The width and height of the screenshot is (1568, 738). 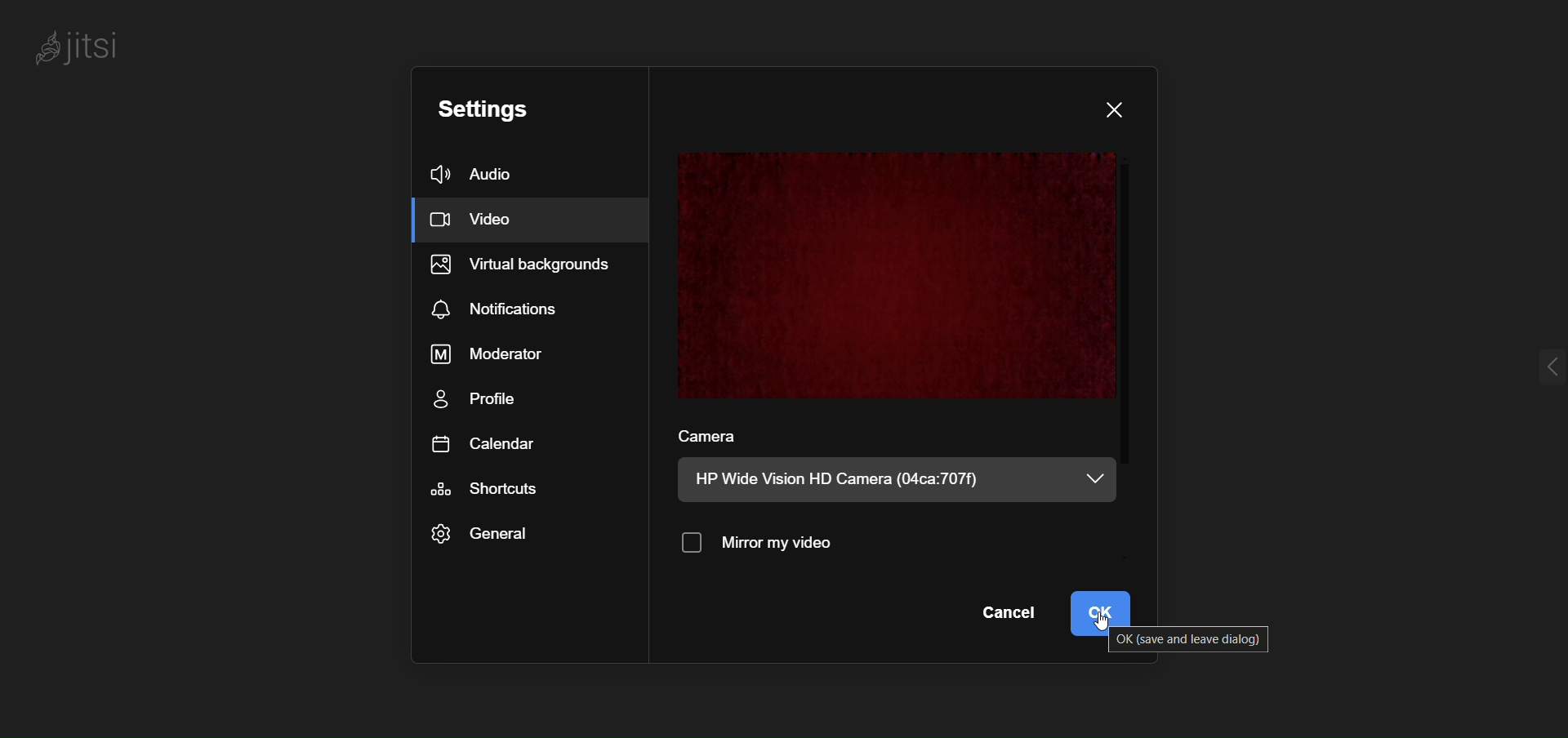 I want to click on close dialog, so click(x=1116, y=108).